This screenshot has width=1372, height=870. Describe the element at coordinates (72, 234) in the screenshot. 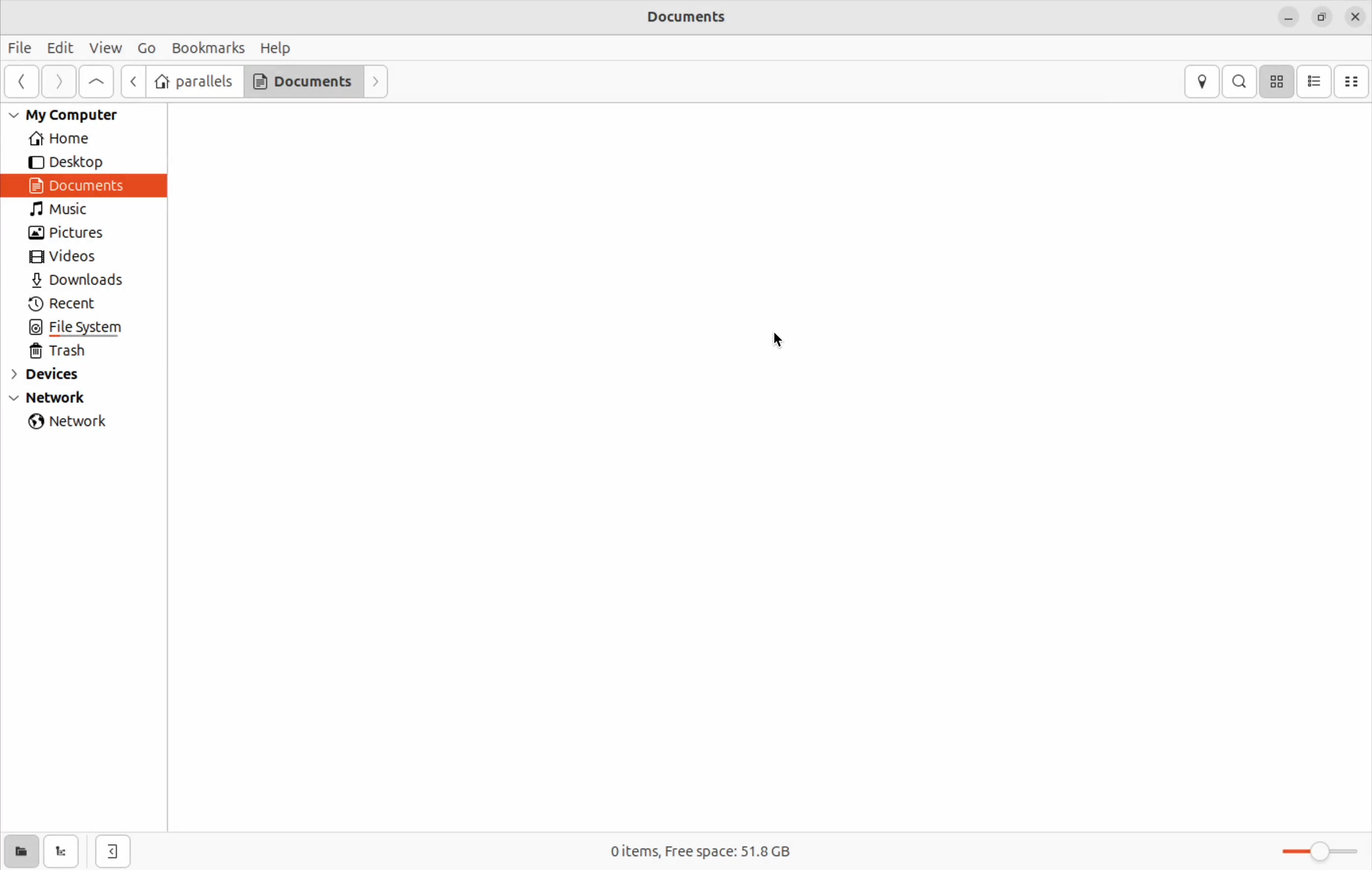

I see `pictures` at that location.